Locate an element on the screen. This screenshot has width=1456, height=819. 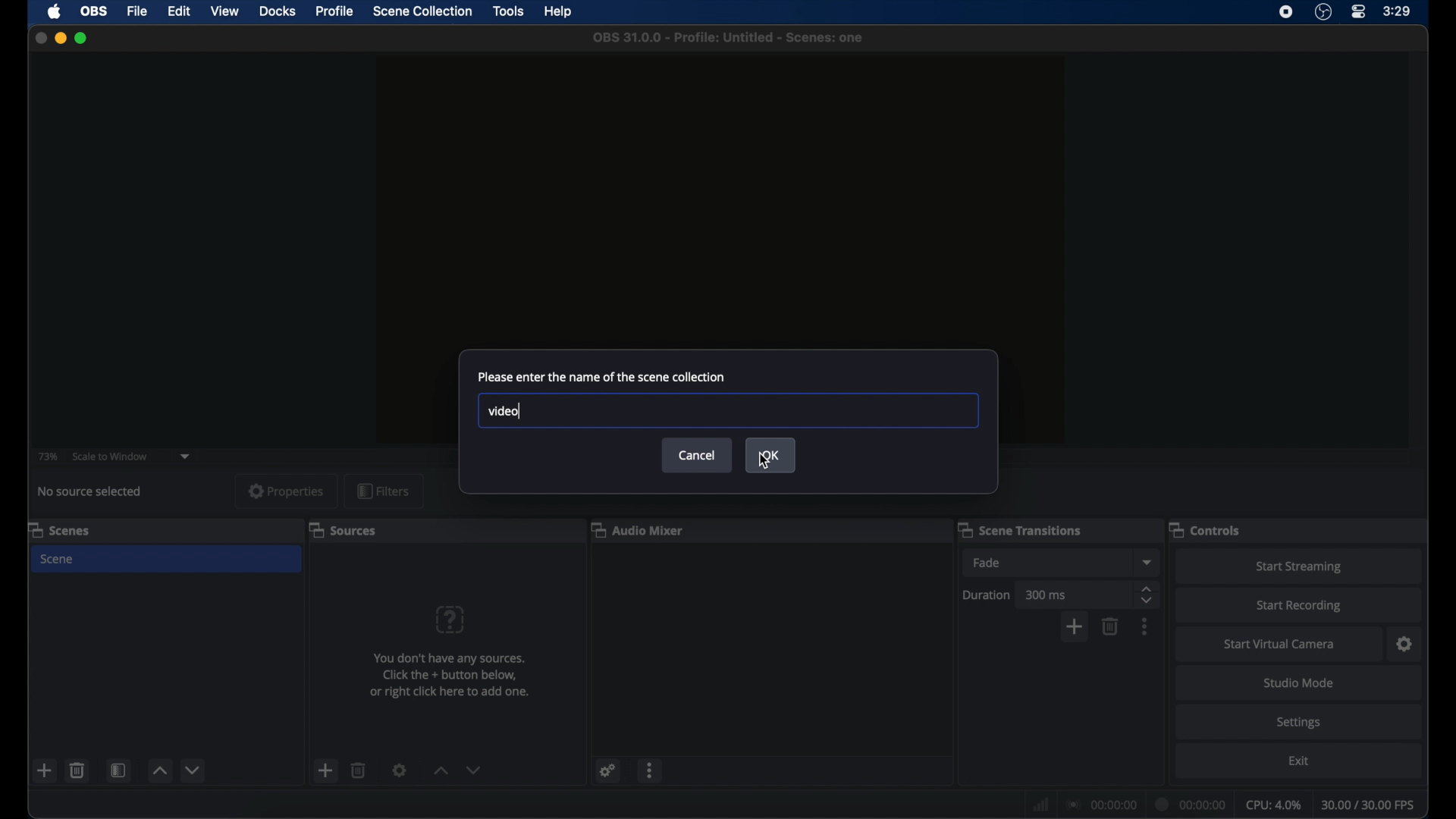
cpu is located at coordinates (1274, 804).